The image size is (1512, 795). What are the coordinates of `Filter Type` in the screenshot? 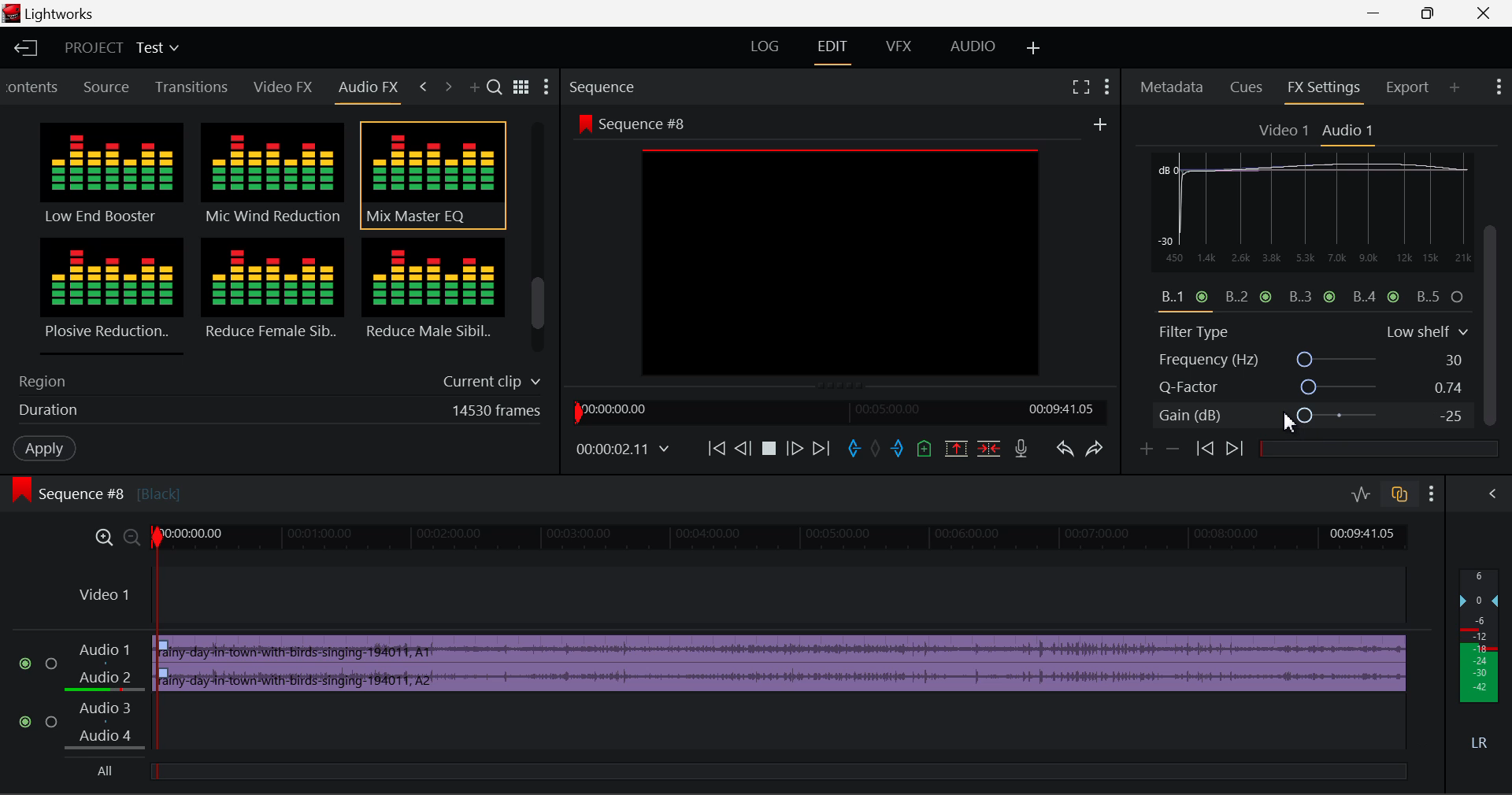 It's located at (1313, 330).